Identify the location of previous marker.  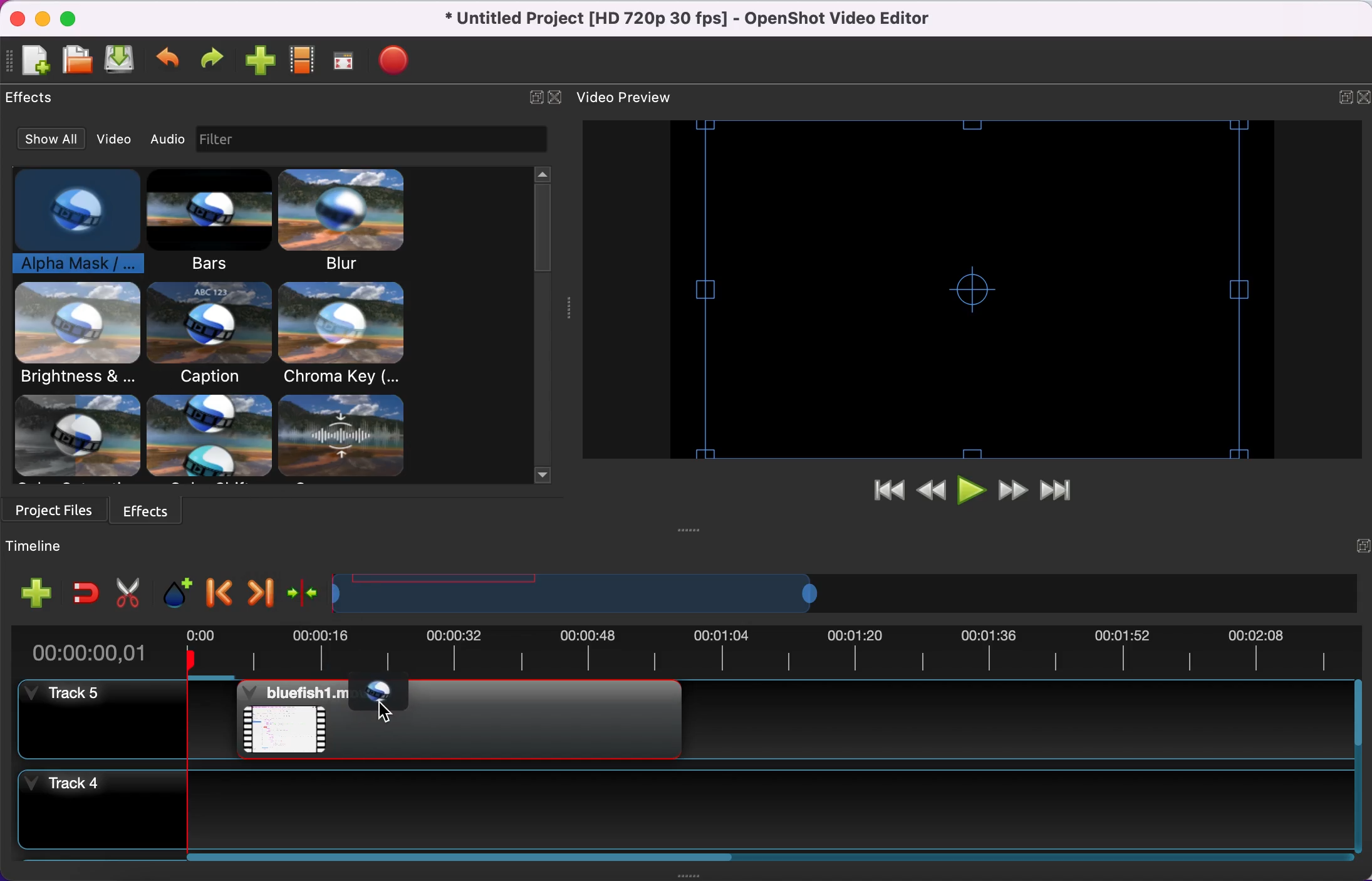
(218, 592).